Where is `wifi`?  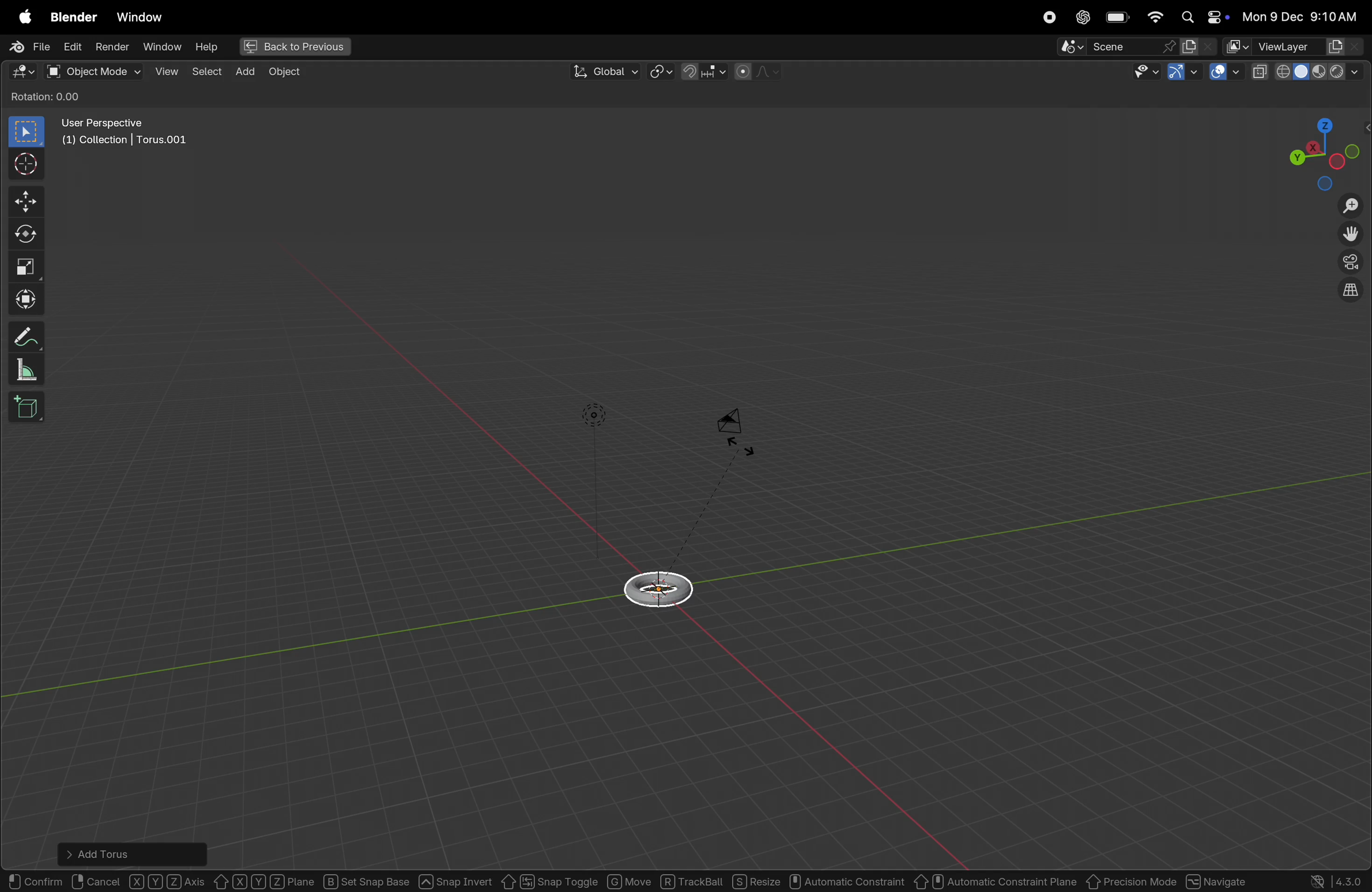
wifi is located at coordinates (1155, 17).